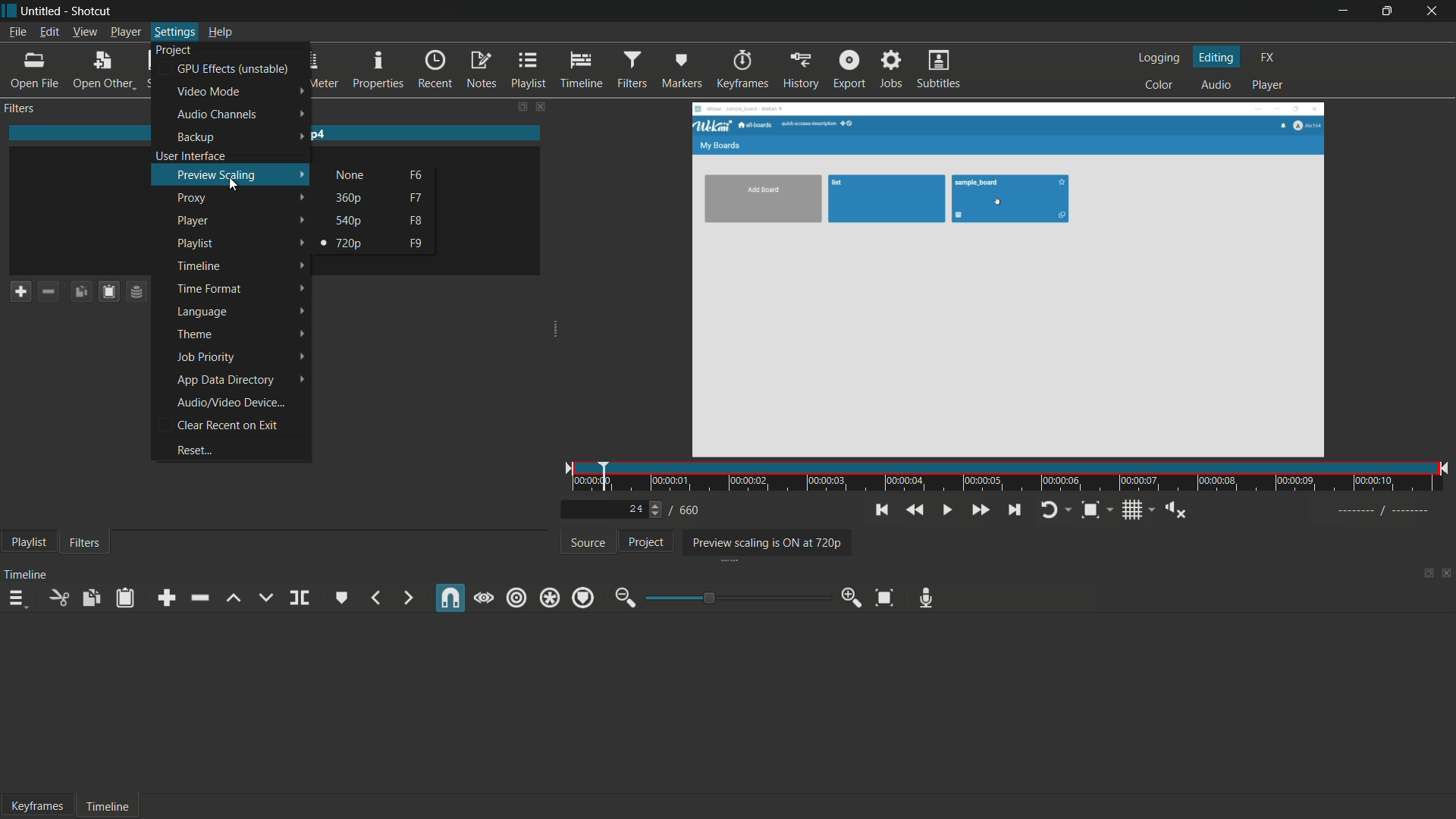 The width and height of the screenshot is (1456, 819). Describe the element at coordinates (1426, 575) in the screenshot. I see `change layout` at that location.